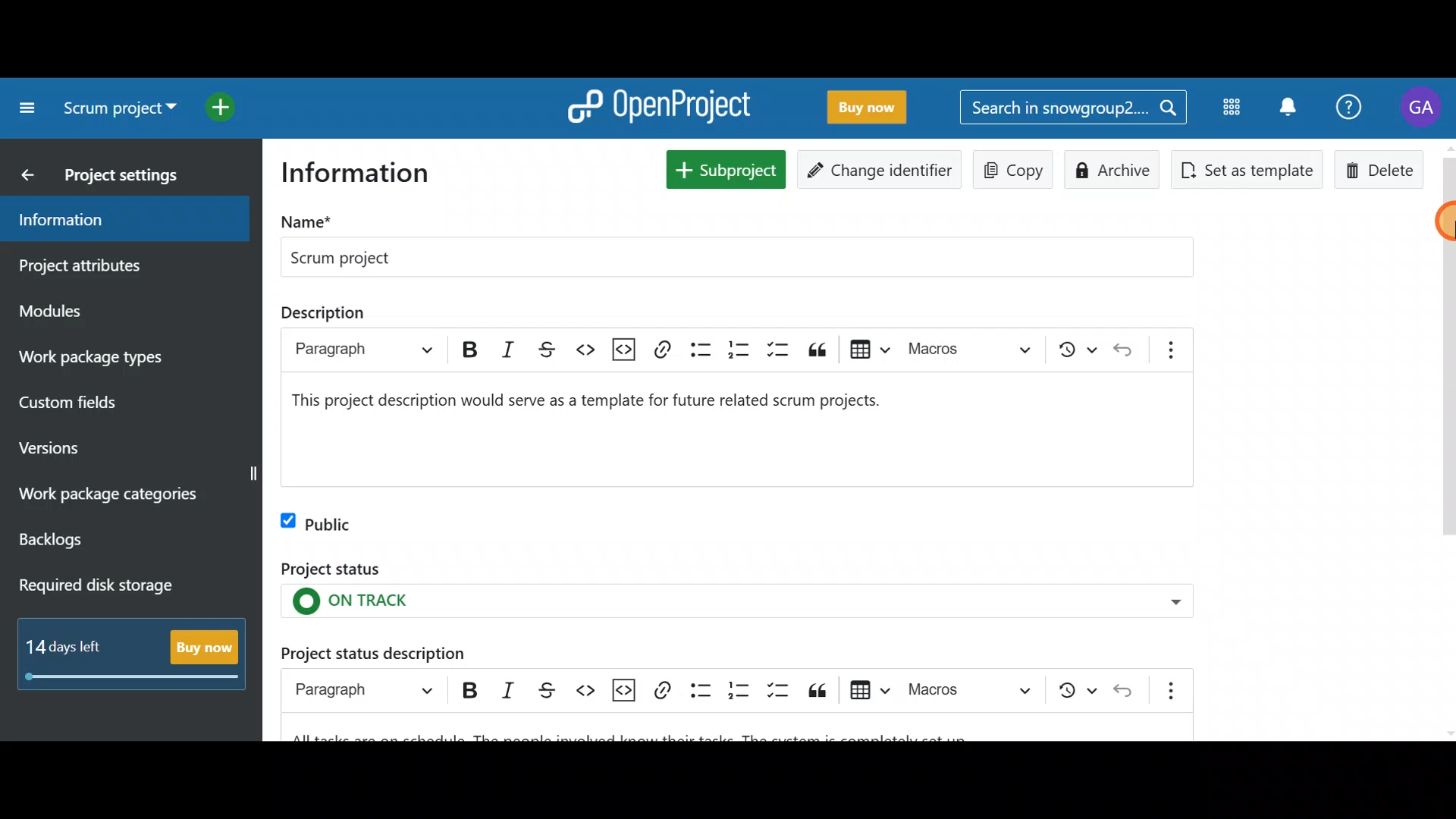 Image resolution: width=1456 pixels, height=819 pixels. What do you see at coordinates (1122, 349) in the screenshot?
I see `undo` at bounding box center [1122, 349].